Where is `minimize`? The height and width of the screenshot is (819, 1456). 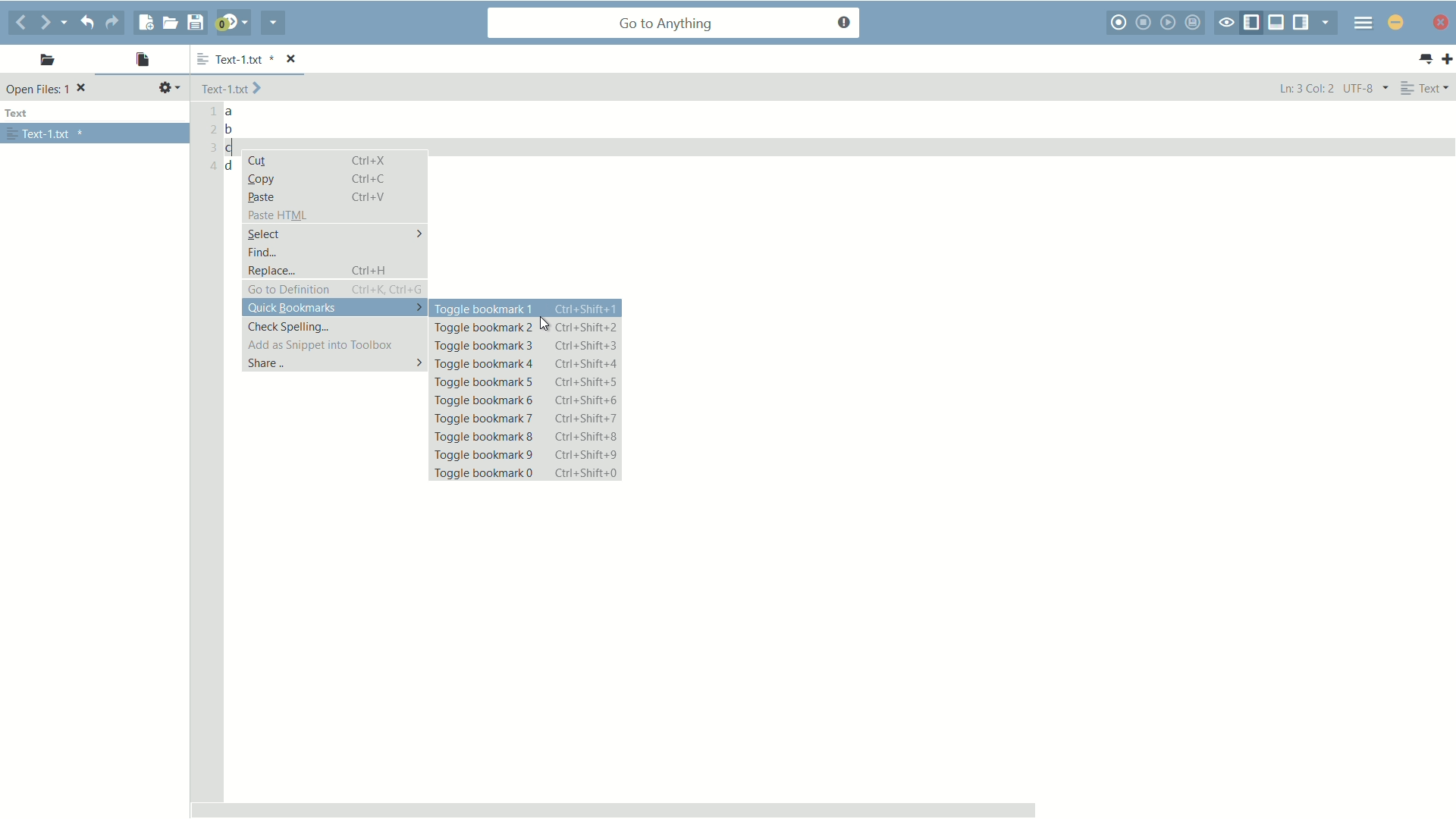 minimize is located at coordinates (1441, 24).